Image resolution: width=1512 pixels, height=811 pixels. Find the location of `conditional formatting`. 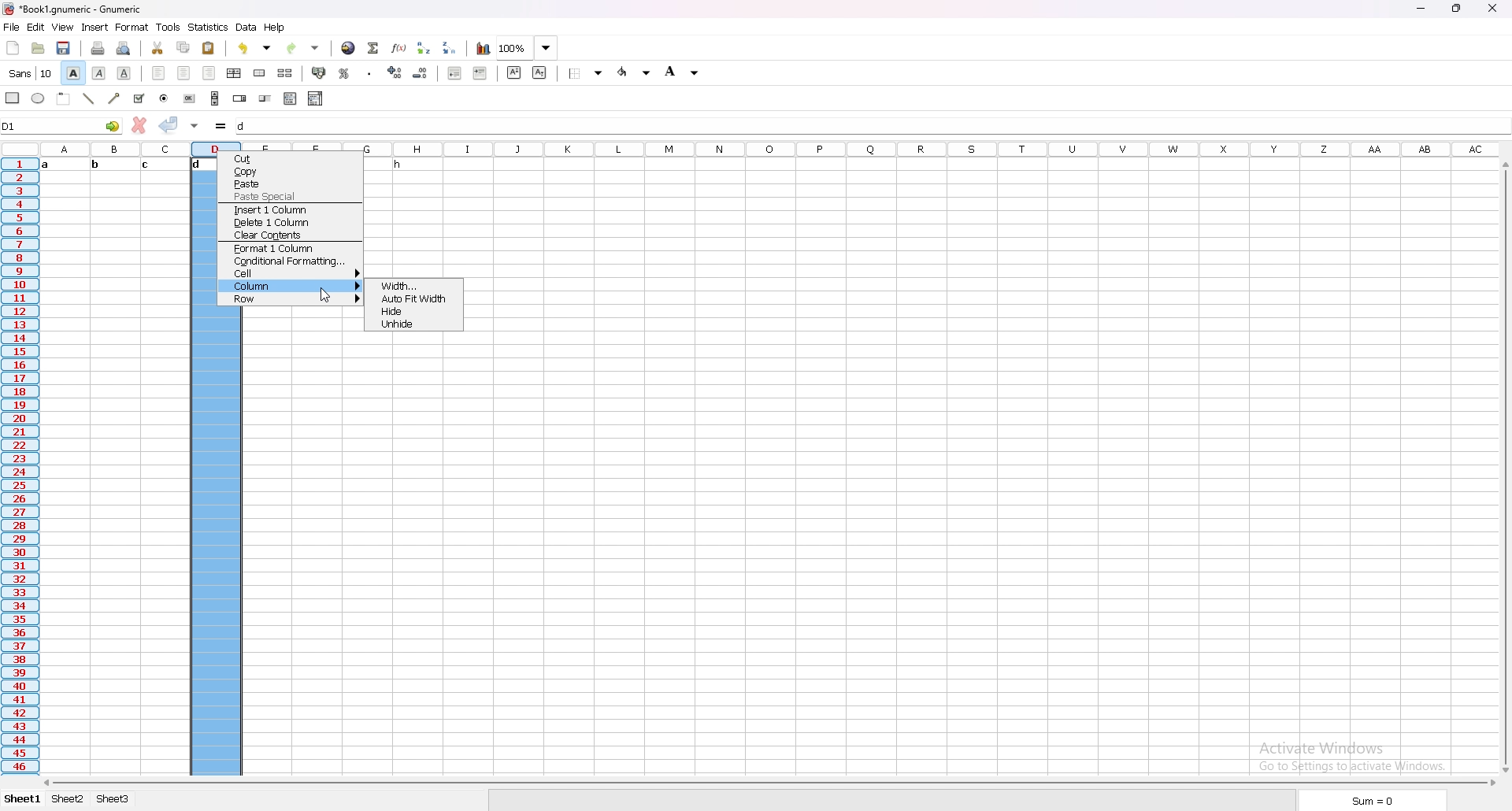

conditional formatting is located at coordinates (291, 261).